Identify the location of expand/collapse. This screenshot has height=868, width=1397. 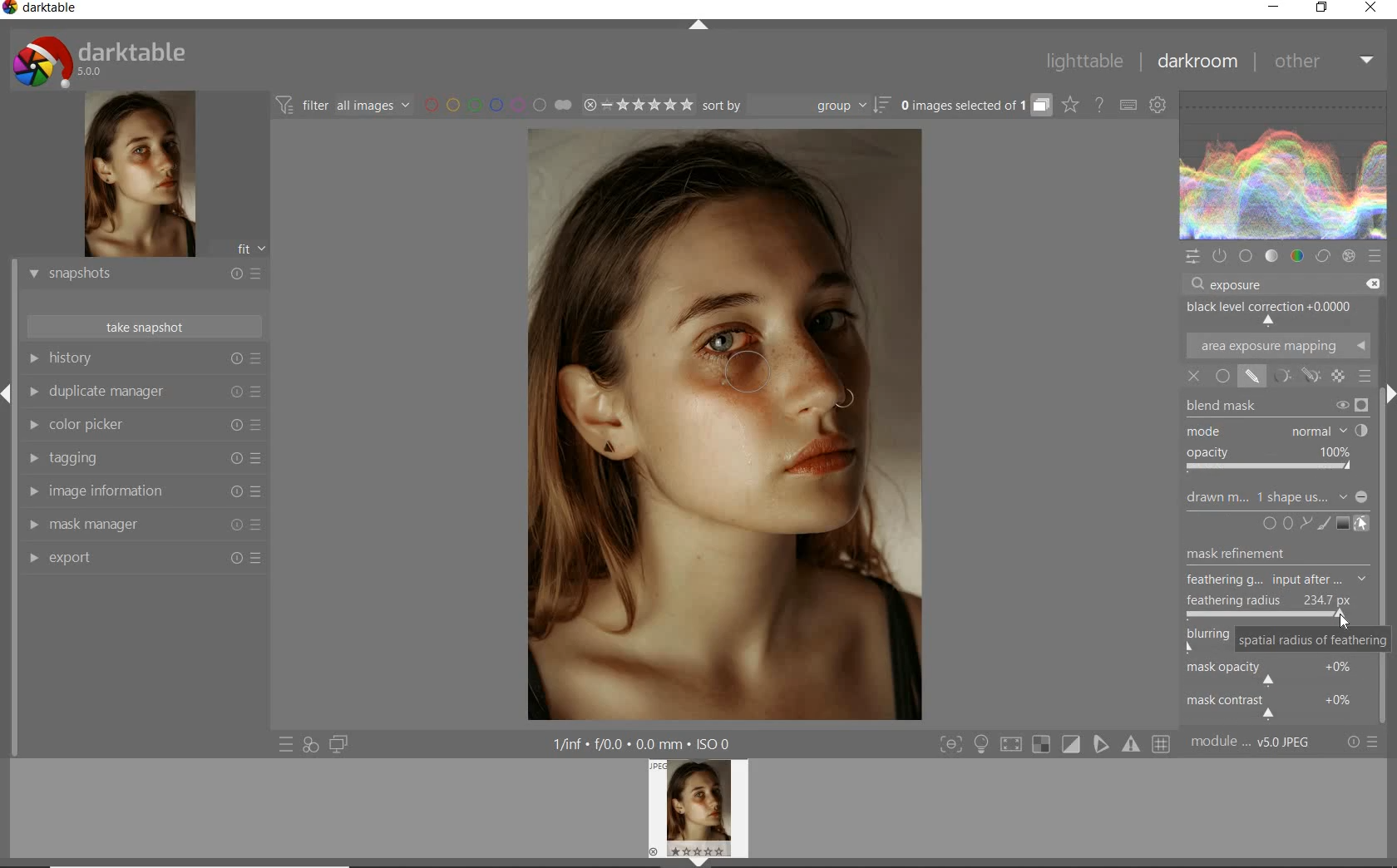
(698, 27).